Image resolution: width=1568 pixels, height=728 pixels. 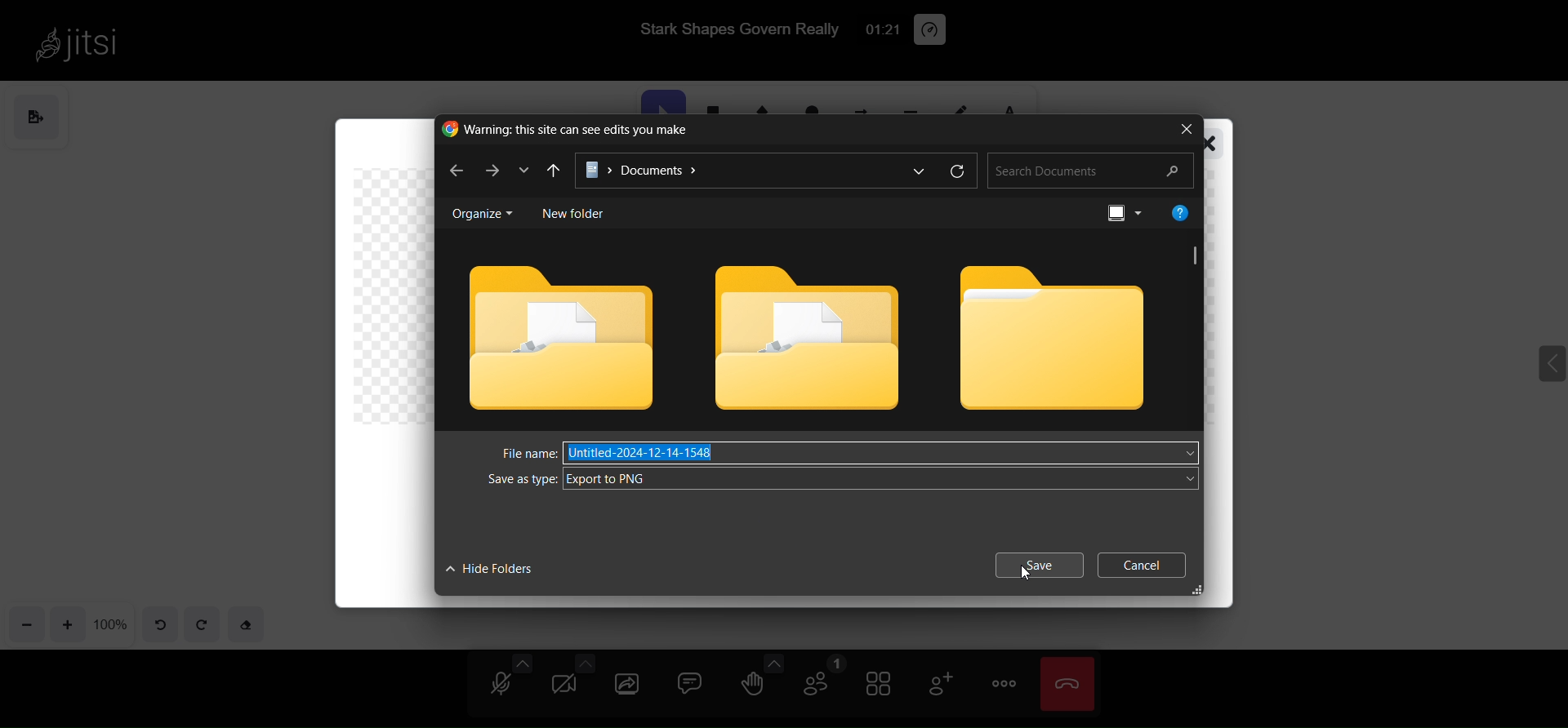 I want to click on expand, so click(x=1217, y=592).